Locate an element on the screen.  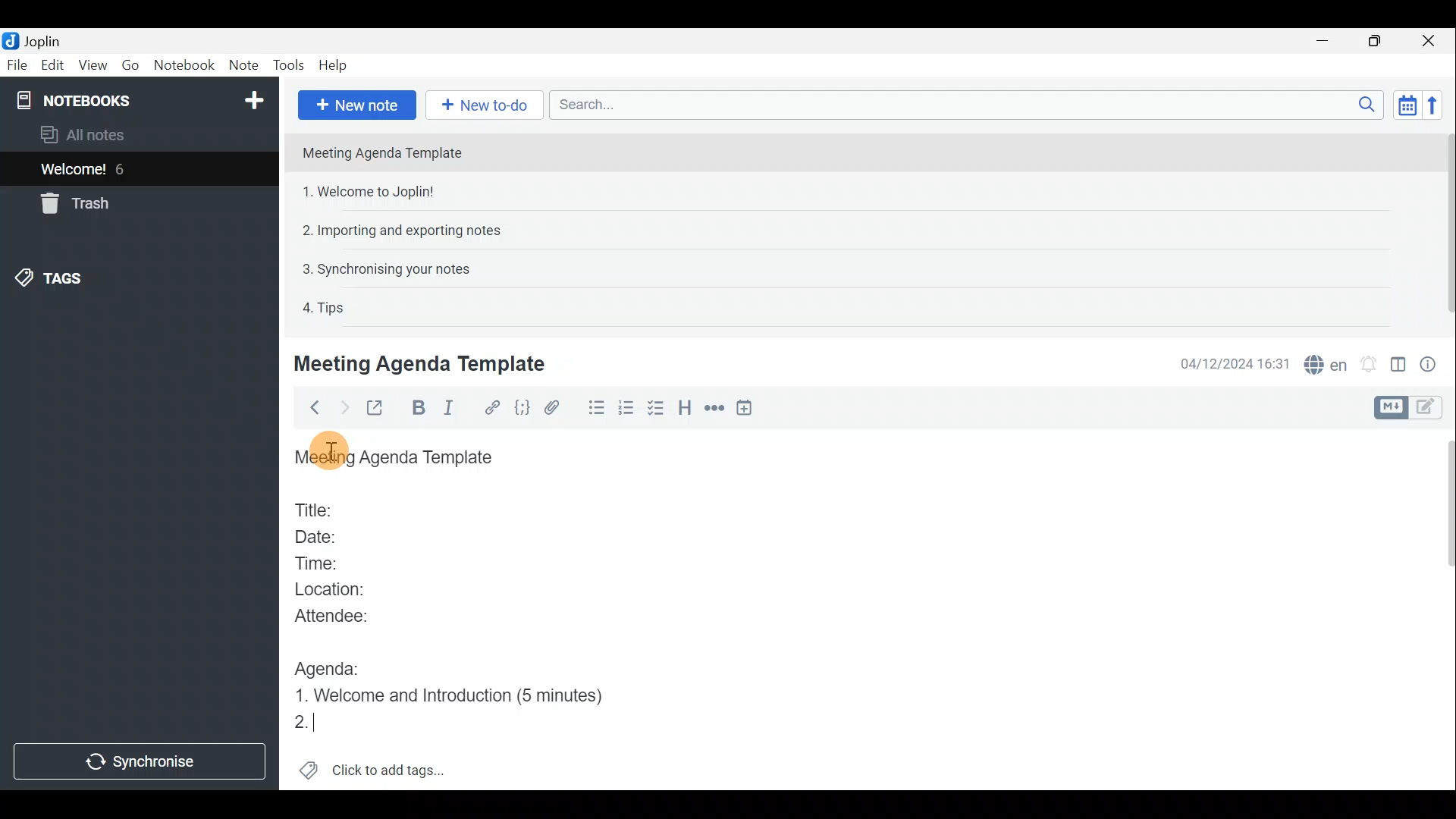
Title: is located at coordinates (316, 507).